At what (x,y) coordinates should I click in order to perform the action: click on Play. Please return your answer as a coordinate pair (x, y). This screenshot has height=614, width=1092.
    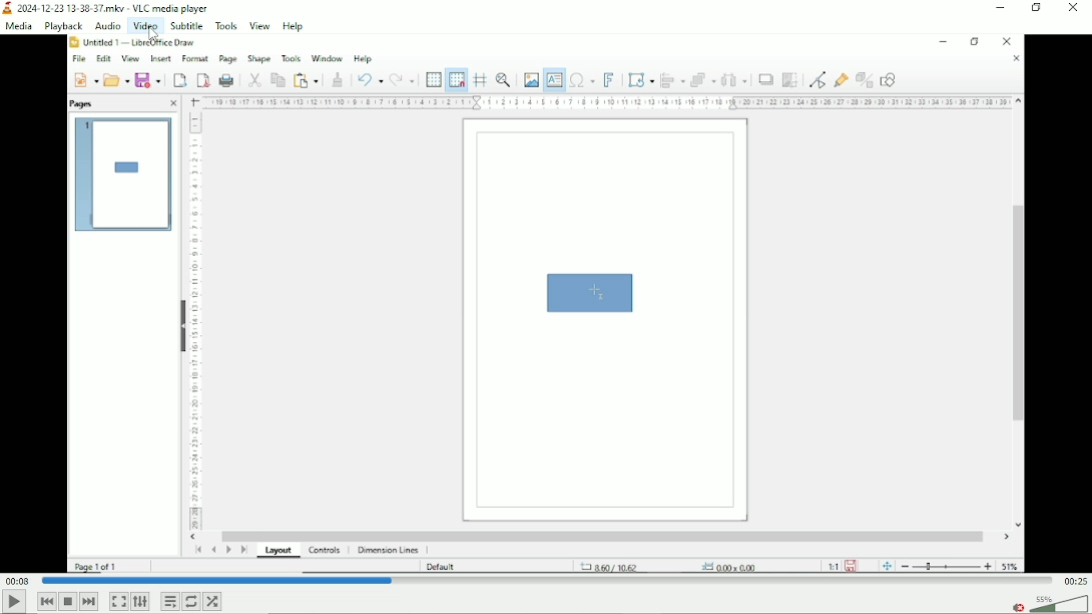
    Looking at the image, I should click on (14, 603).